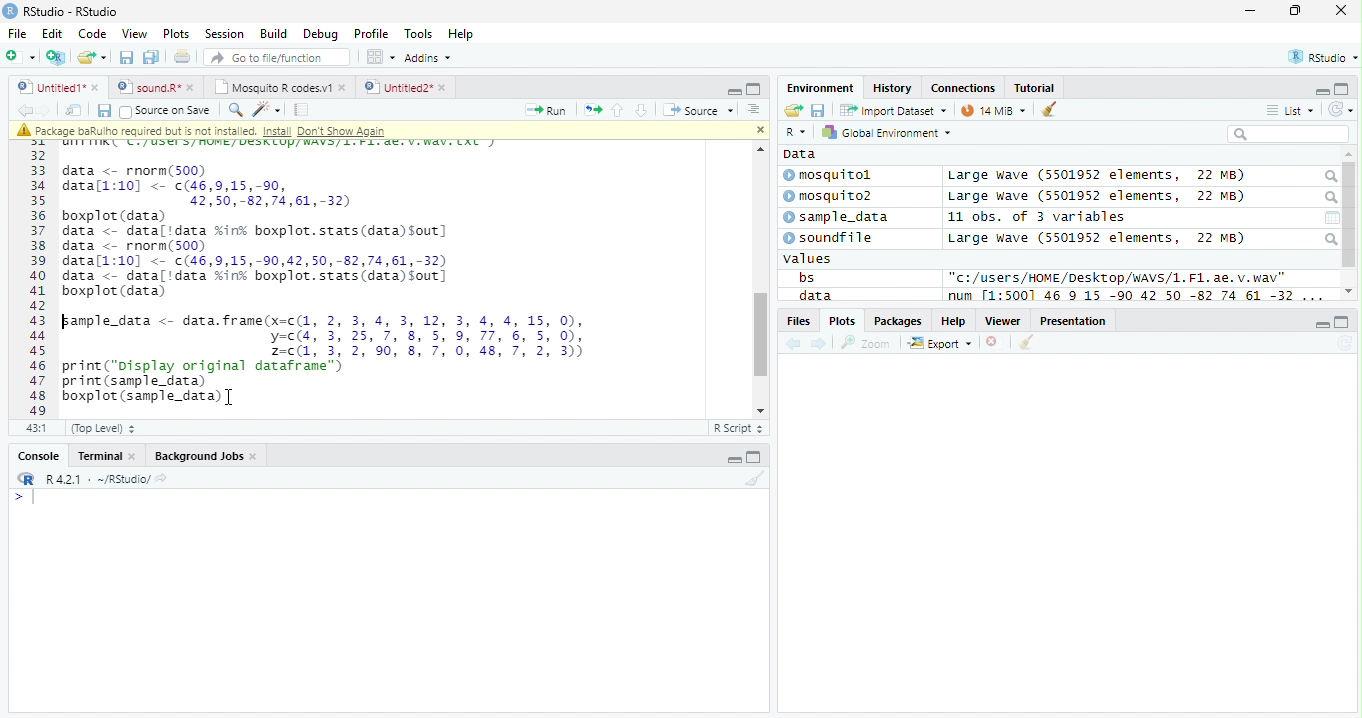 The image size is (1362, 718). What do you see at coordinates (1035, 89) in the screenshot?
I see `Tutorial` at bounding box center [1035, 89].